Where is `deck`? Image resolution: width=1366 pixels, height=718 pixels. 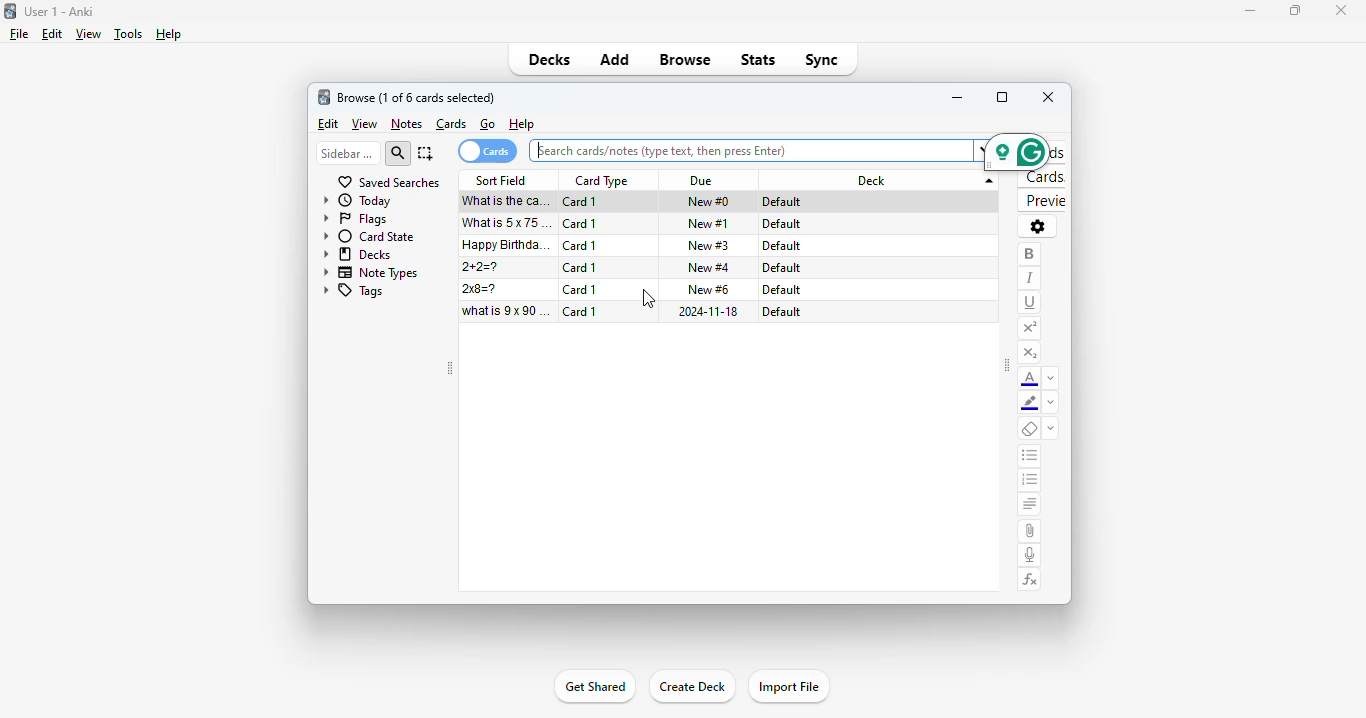 deck is located at coordinates (882, 180).